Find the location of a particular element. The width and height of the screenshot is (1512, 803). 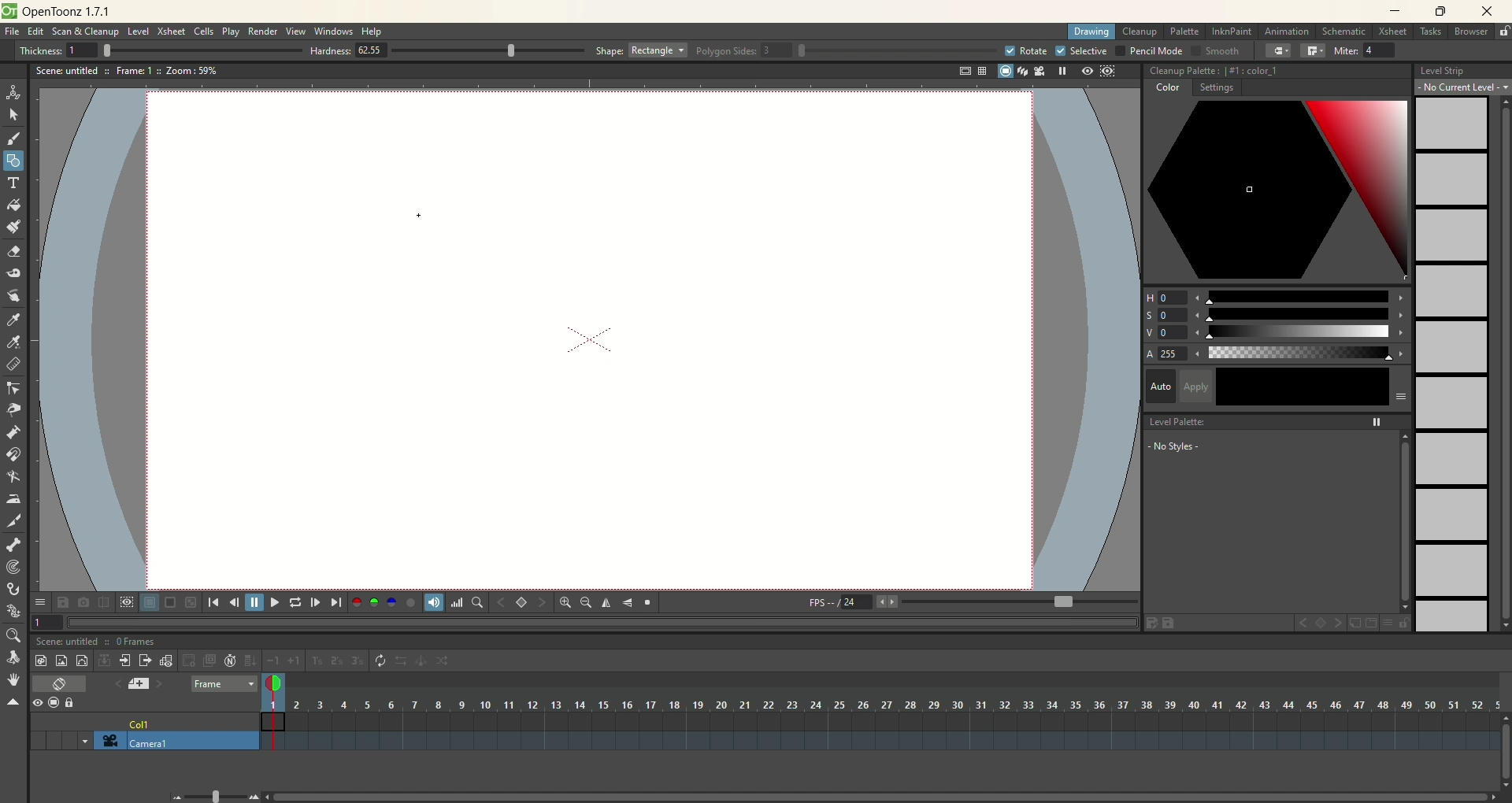

auto input cell number is located at coordinates (231, 661).